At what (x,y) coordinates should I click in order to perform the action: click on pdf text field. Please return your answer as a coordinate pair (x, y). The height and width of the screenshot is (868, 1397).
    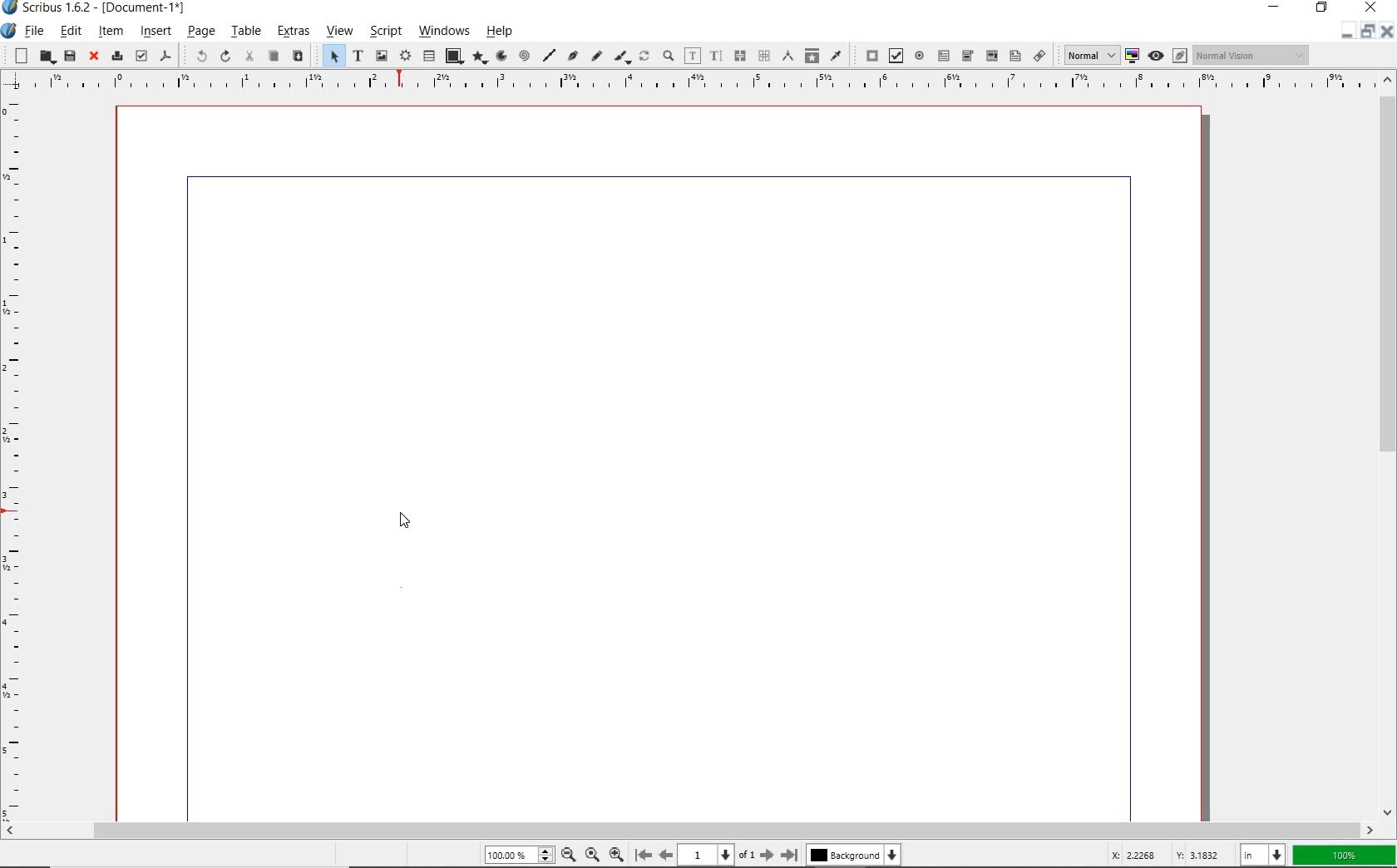
    Looking at the image, I should click on (943, 55).